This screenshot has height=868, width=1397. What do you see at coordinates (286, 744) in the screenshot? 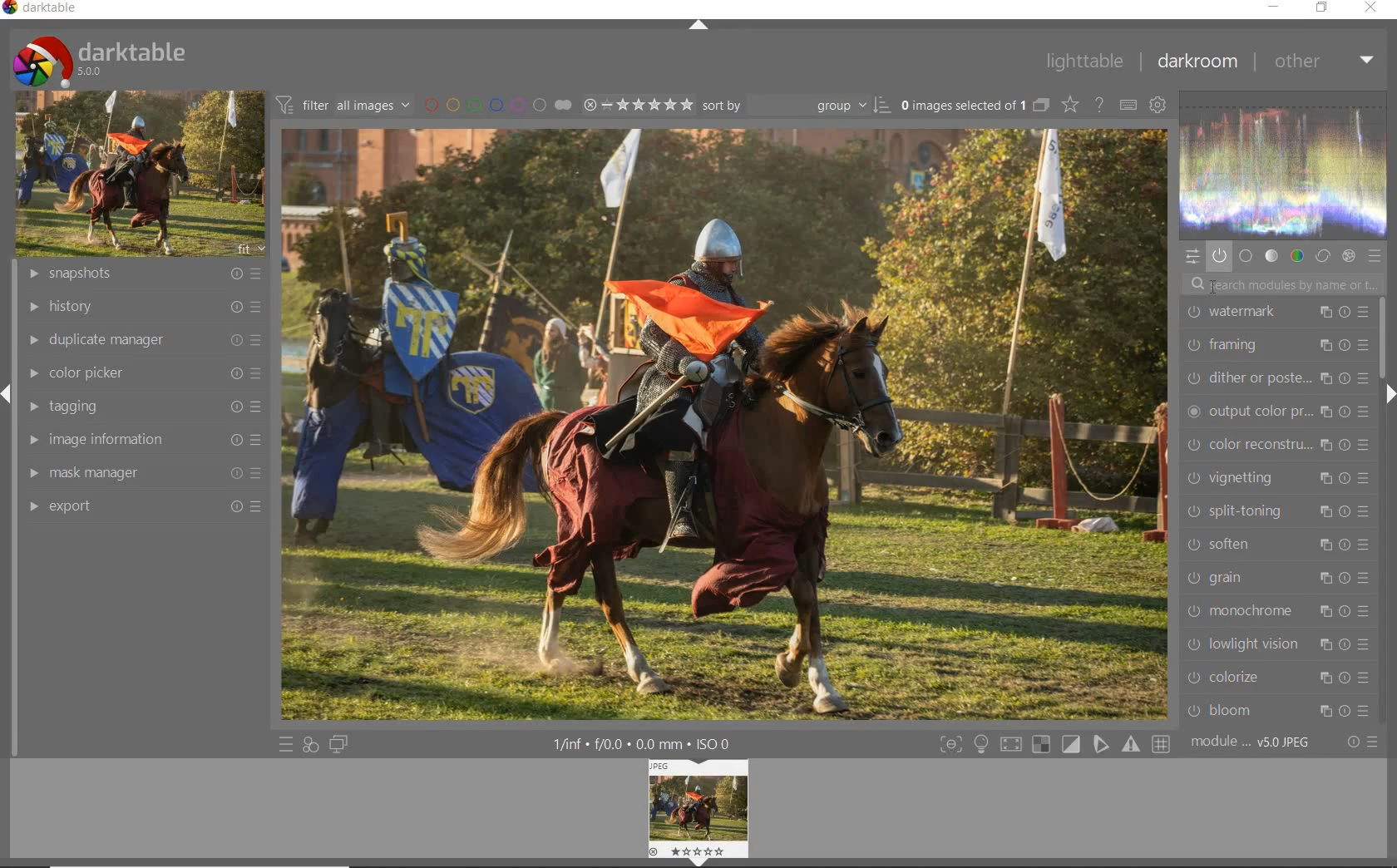
I see `quick access to presets` at bounding box center [286, 744].